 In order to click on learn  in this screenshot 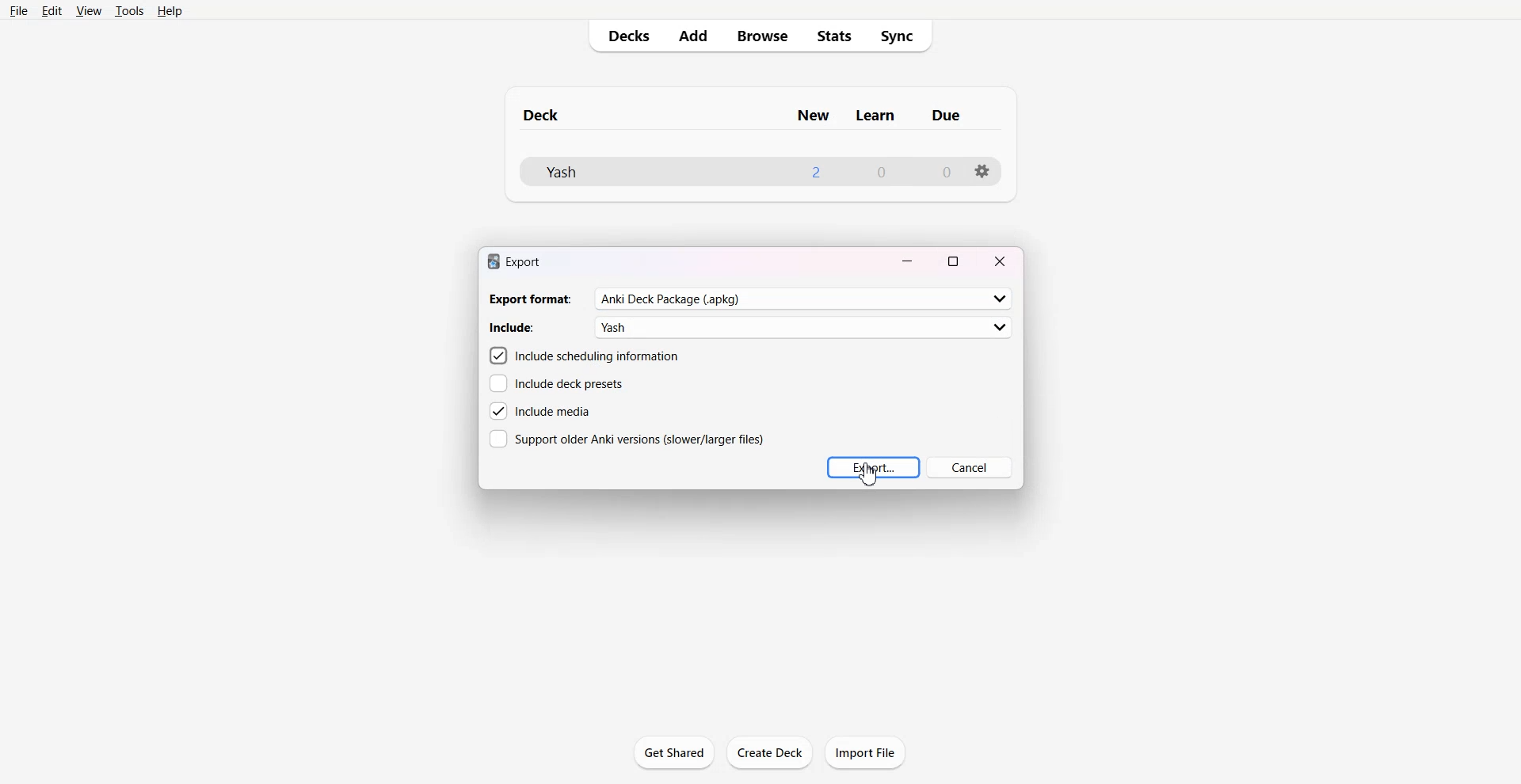, I will do `click(877, 116)`.